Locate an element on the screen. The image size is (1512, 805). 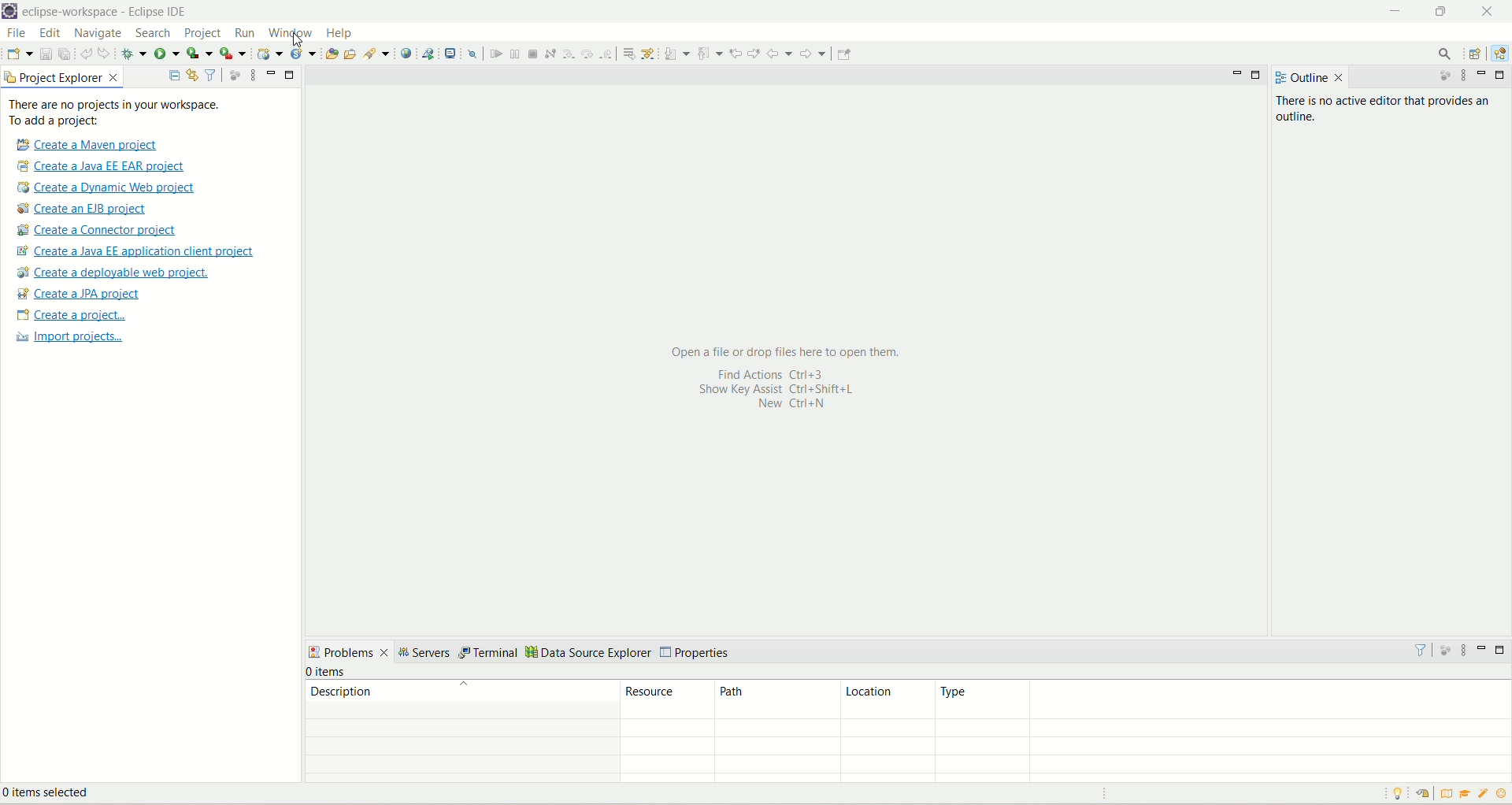
coverage is located at coordinates (199, 52).